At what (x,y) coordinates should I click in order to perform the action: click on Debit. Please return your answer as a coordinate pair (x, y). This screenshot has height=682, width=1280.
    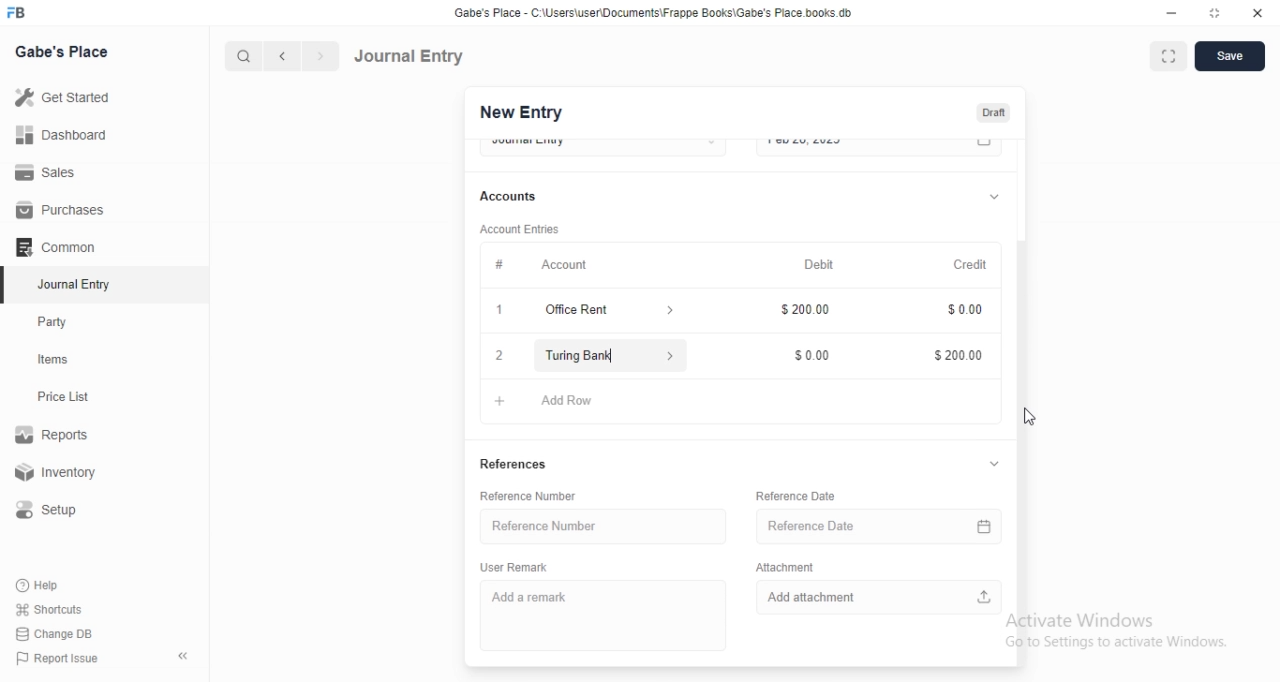
    Looking at the image, I should click on (821, 264).